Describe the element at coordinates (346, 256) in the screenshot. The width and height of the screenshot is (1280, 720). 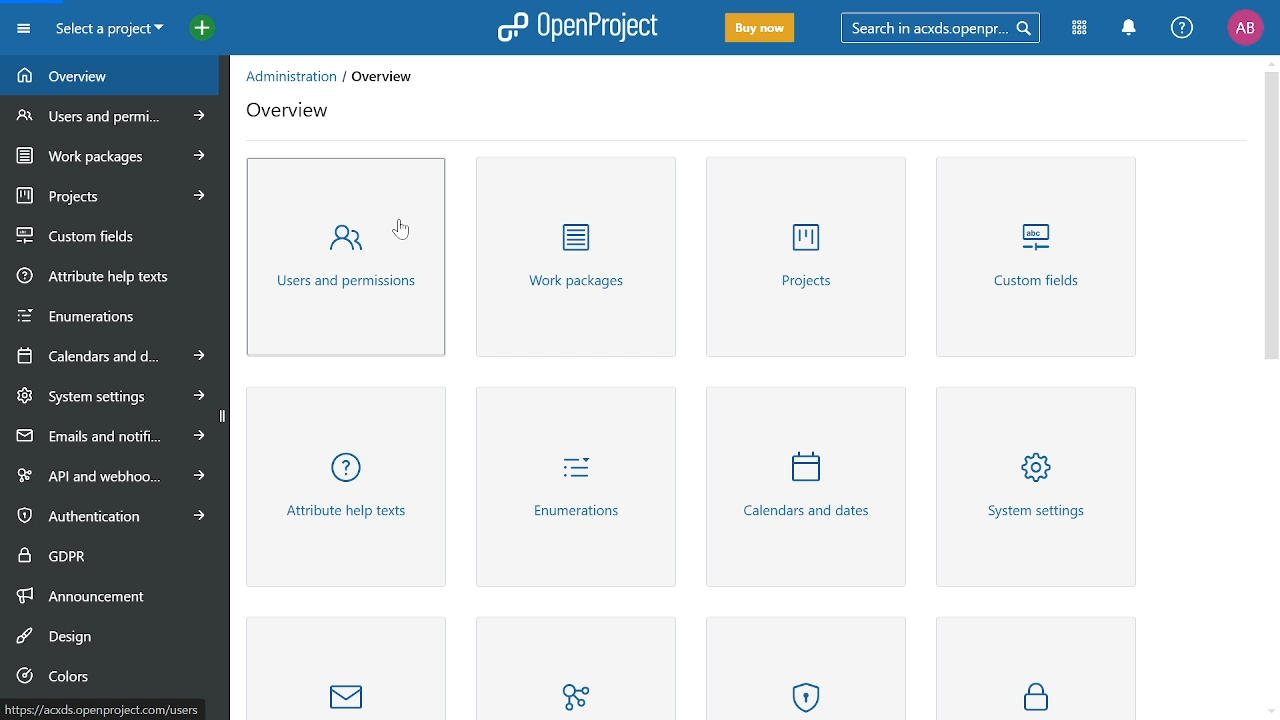
I see `Users and permissions` at that location.